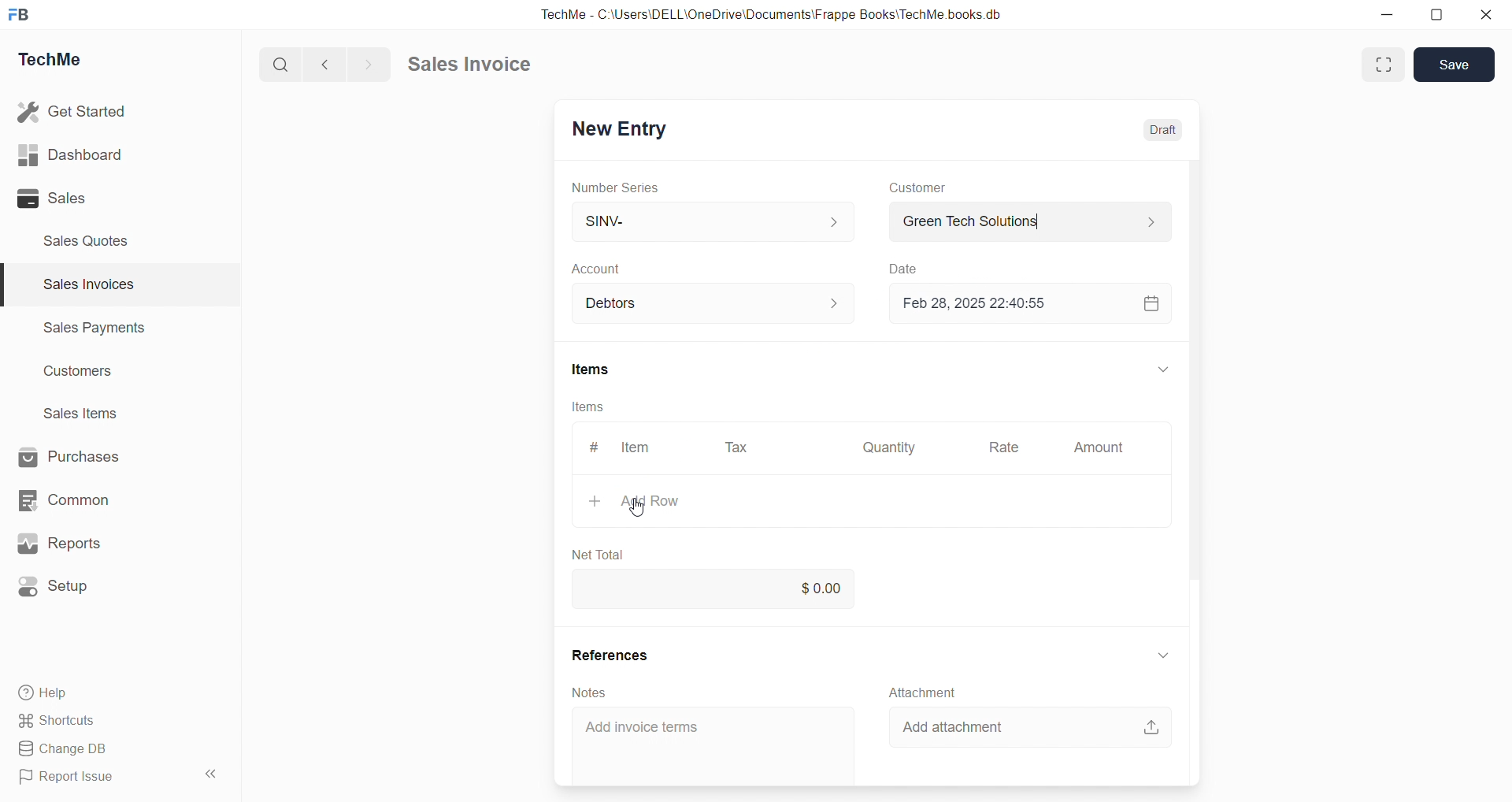 The width and height of the screenshot is (1512, 802). Describe the element at coordinates (715, 303) in the screenshot. I see `Debtors` at that location.